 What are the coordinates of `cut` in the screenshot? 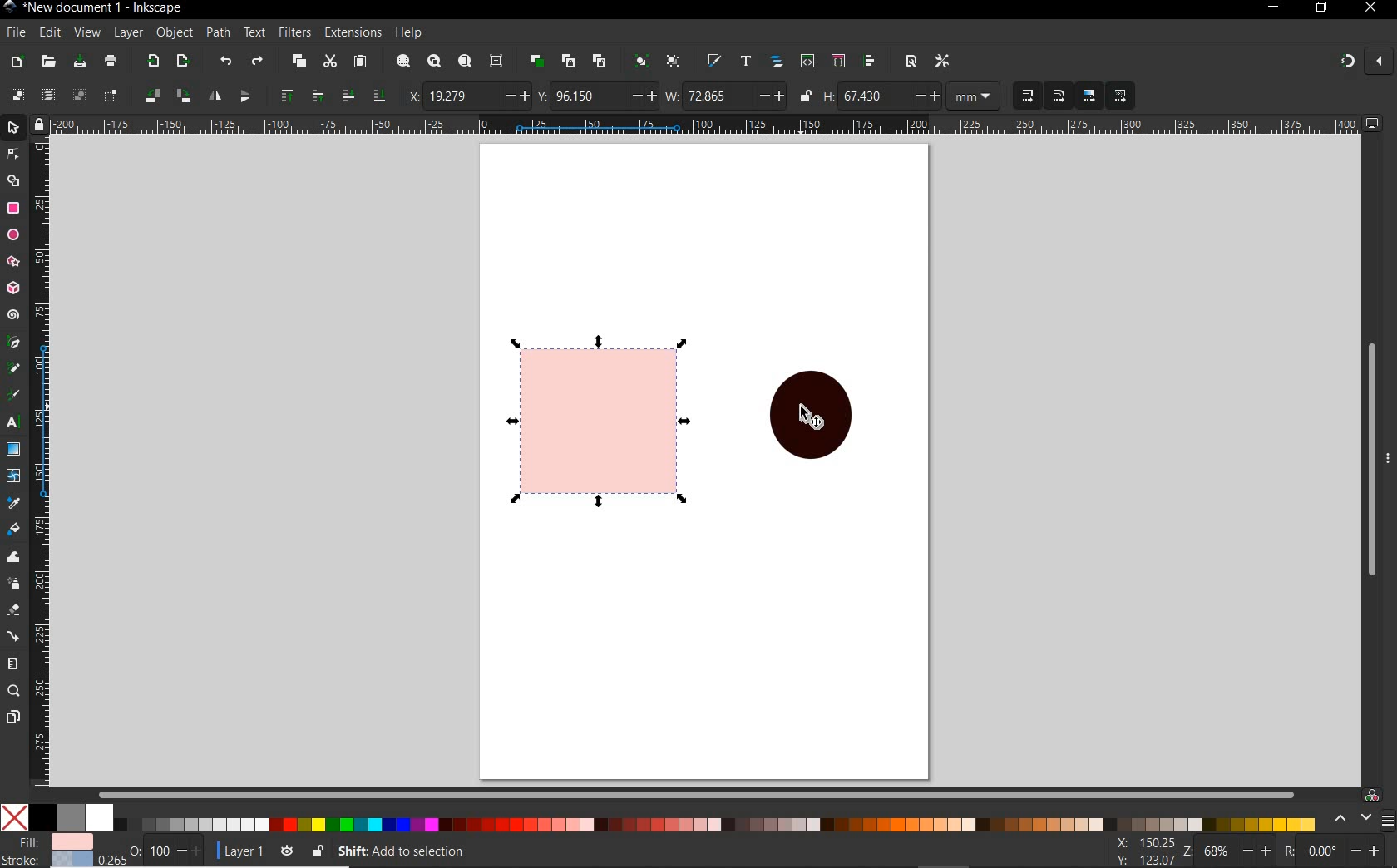 It's located at (330, 61).